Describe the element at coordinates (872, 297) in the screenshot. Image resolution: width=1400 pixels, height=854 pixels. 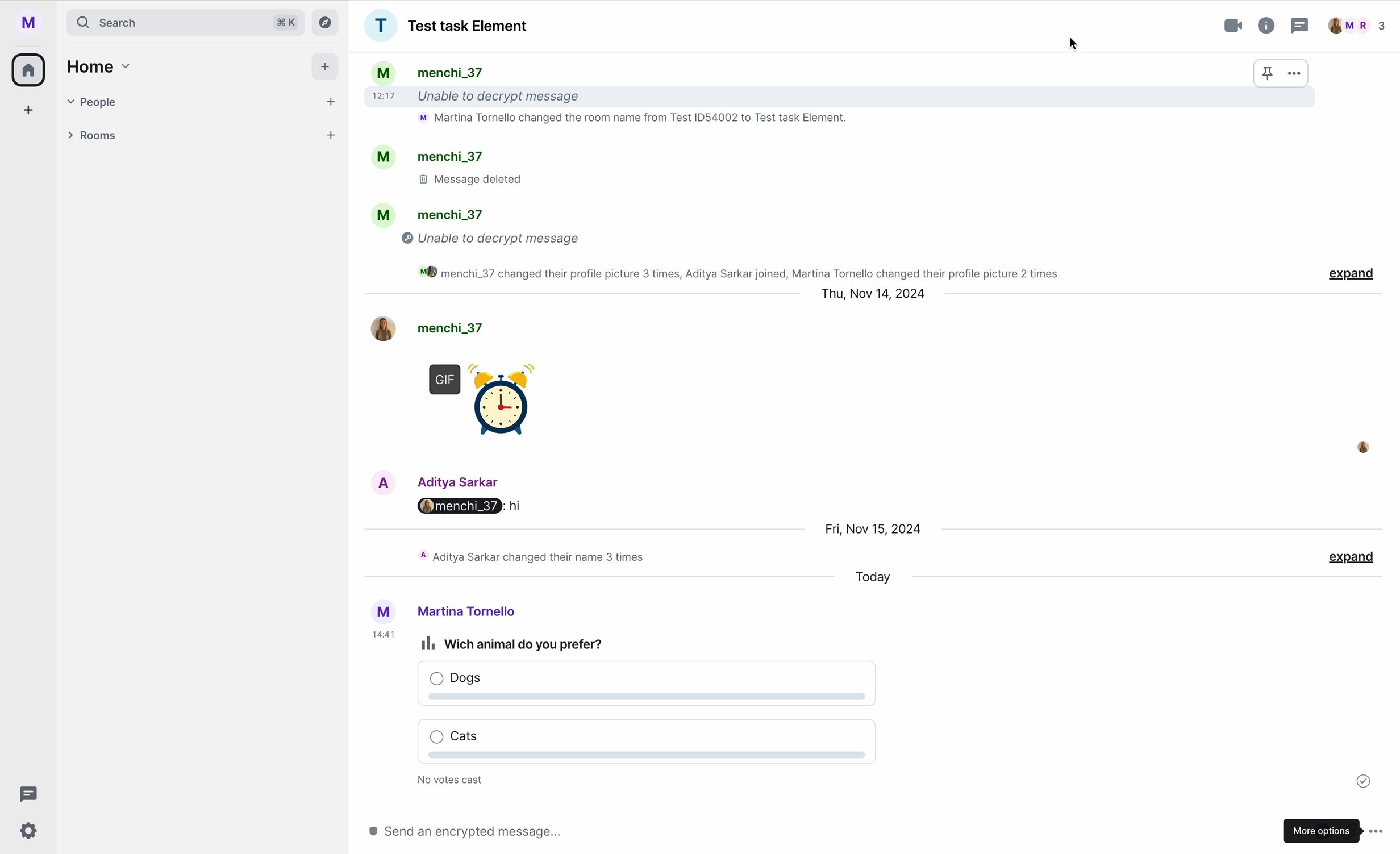
I see `date` at that location.